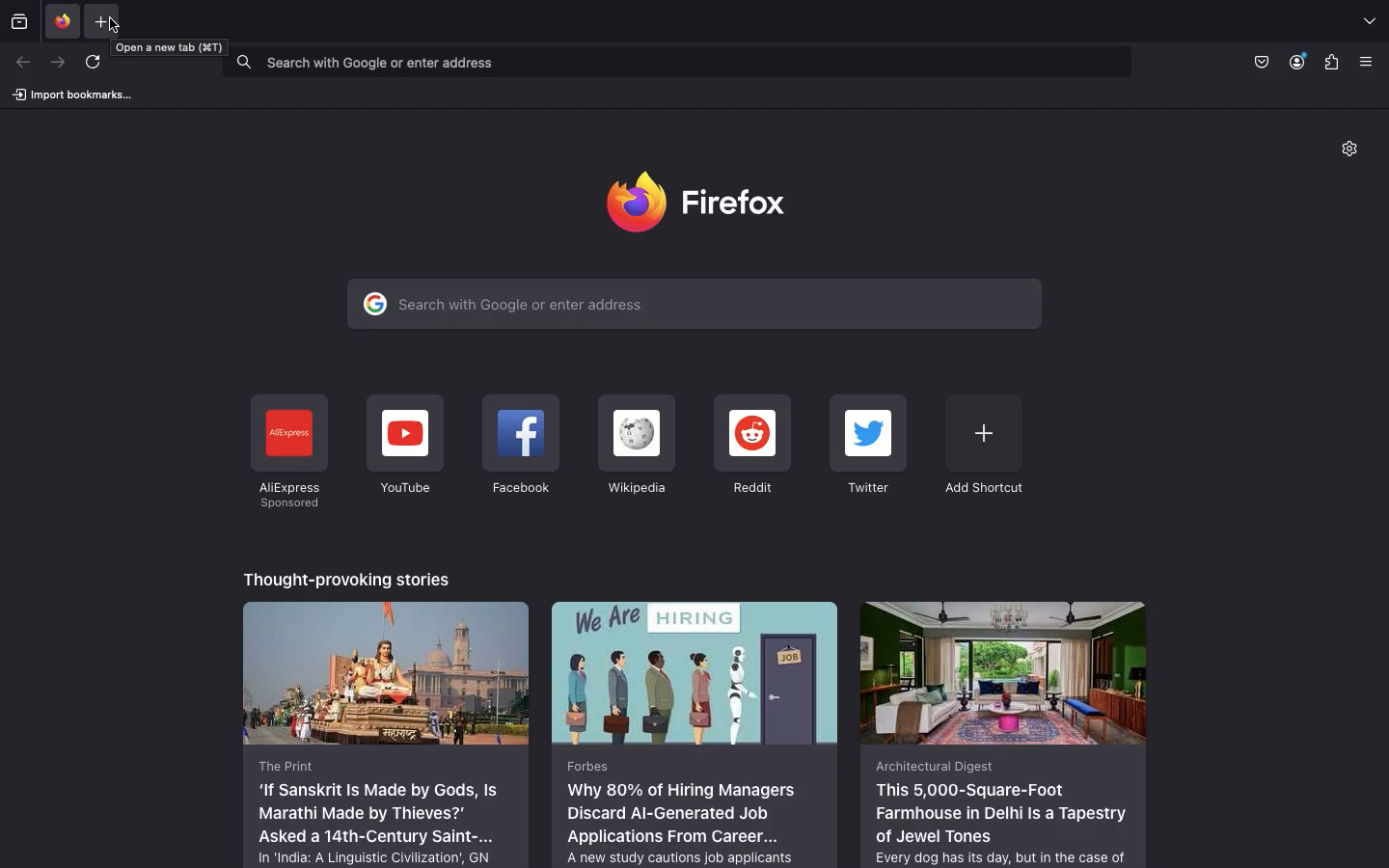  What do you see at coordinates (1372, 62) in the screenshot?
I see `Open application menu` at bounding box center [1372, 62].